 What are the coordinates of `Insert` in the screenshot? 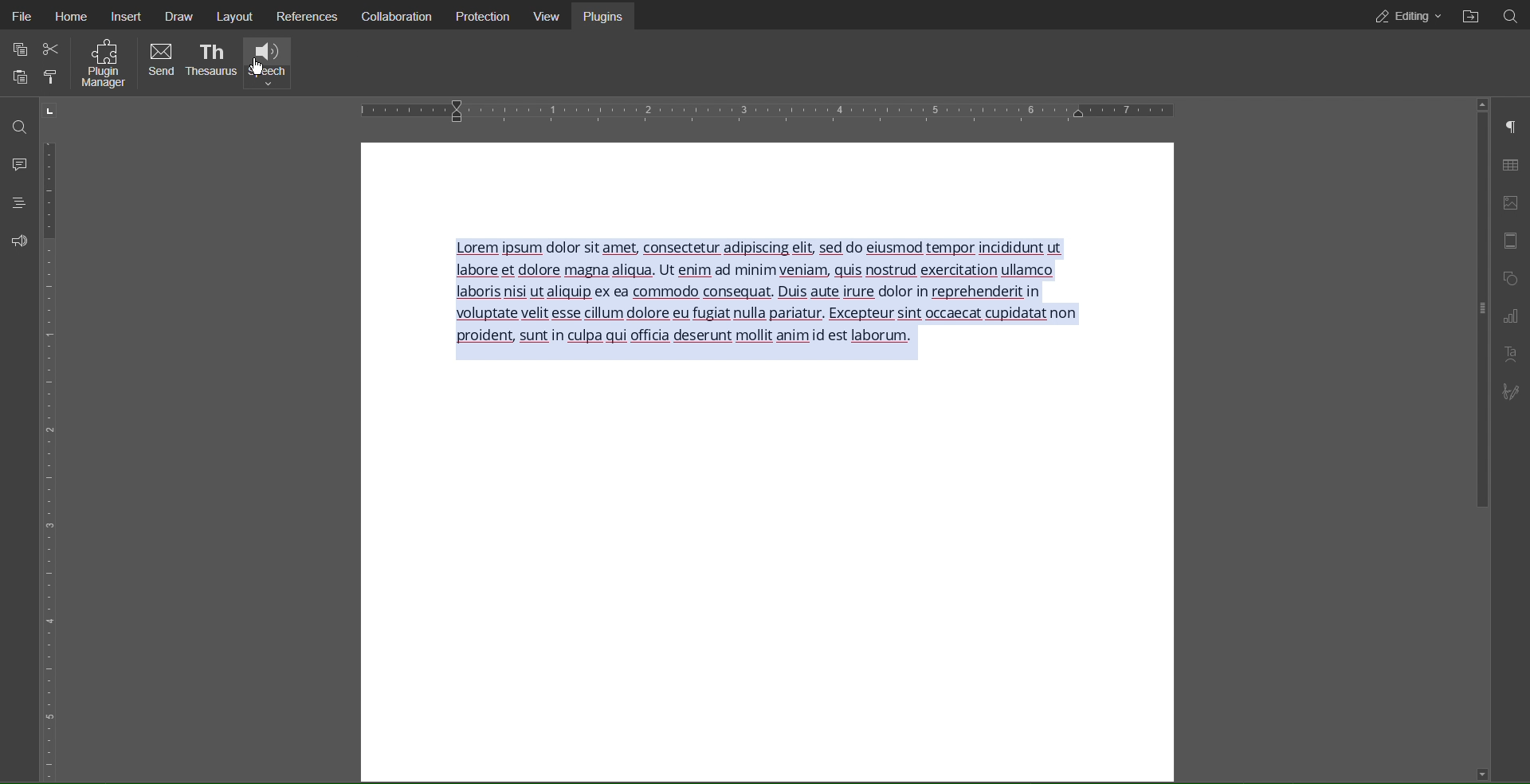 It's located at (130, 18).